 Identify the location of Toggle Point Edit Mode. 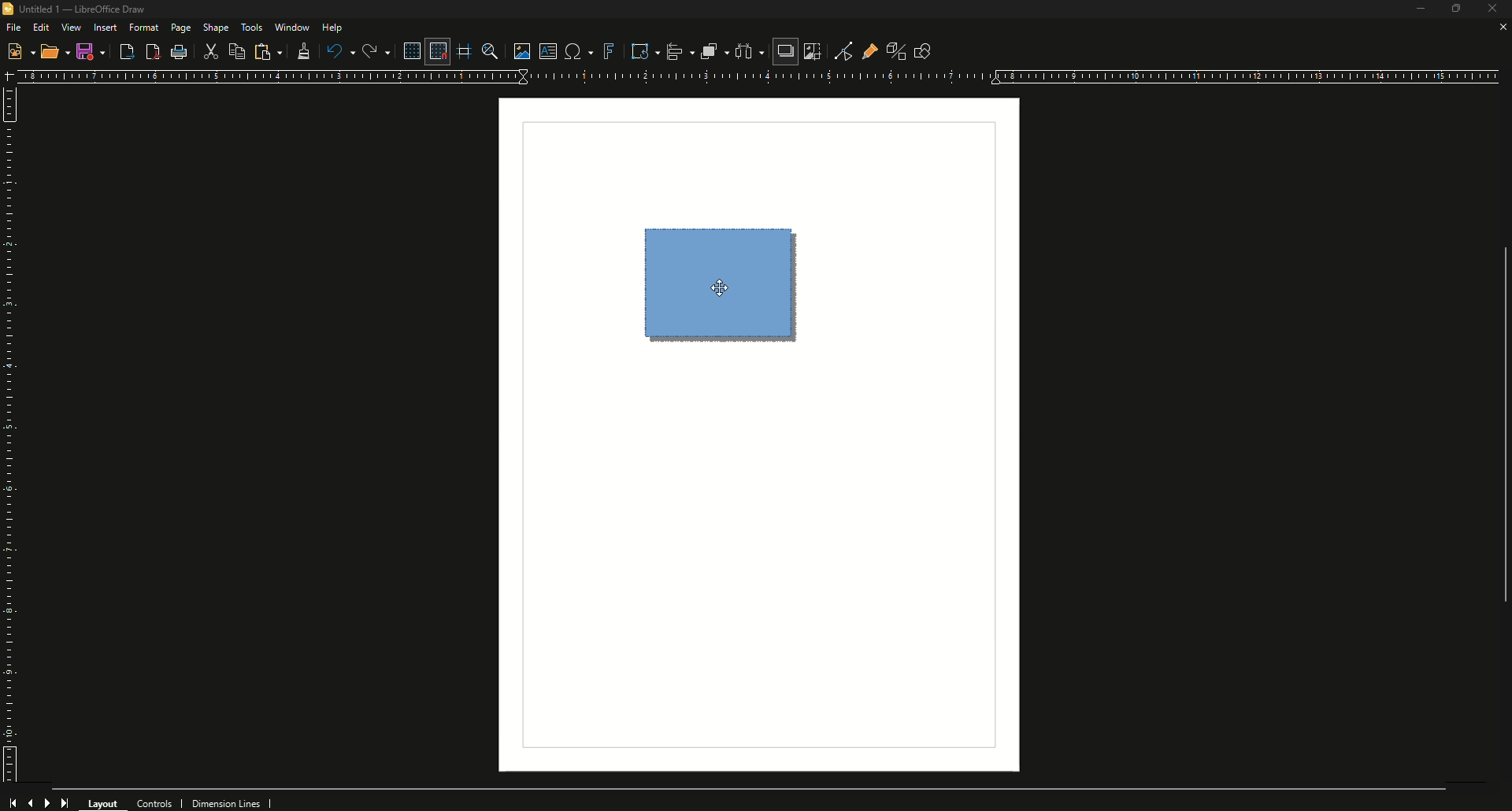
(838, 50).